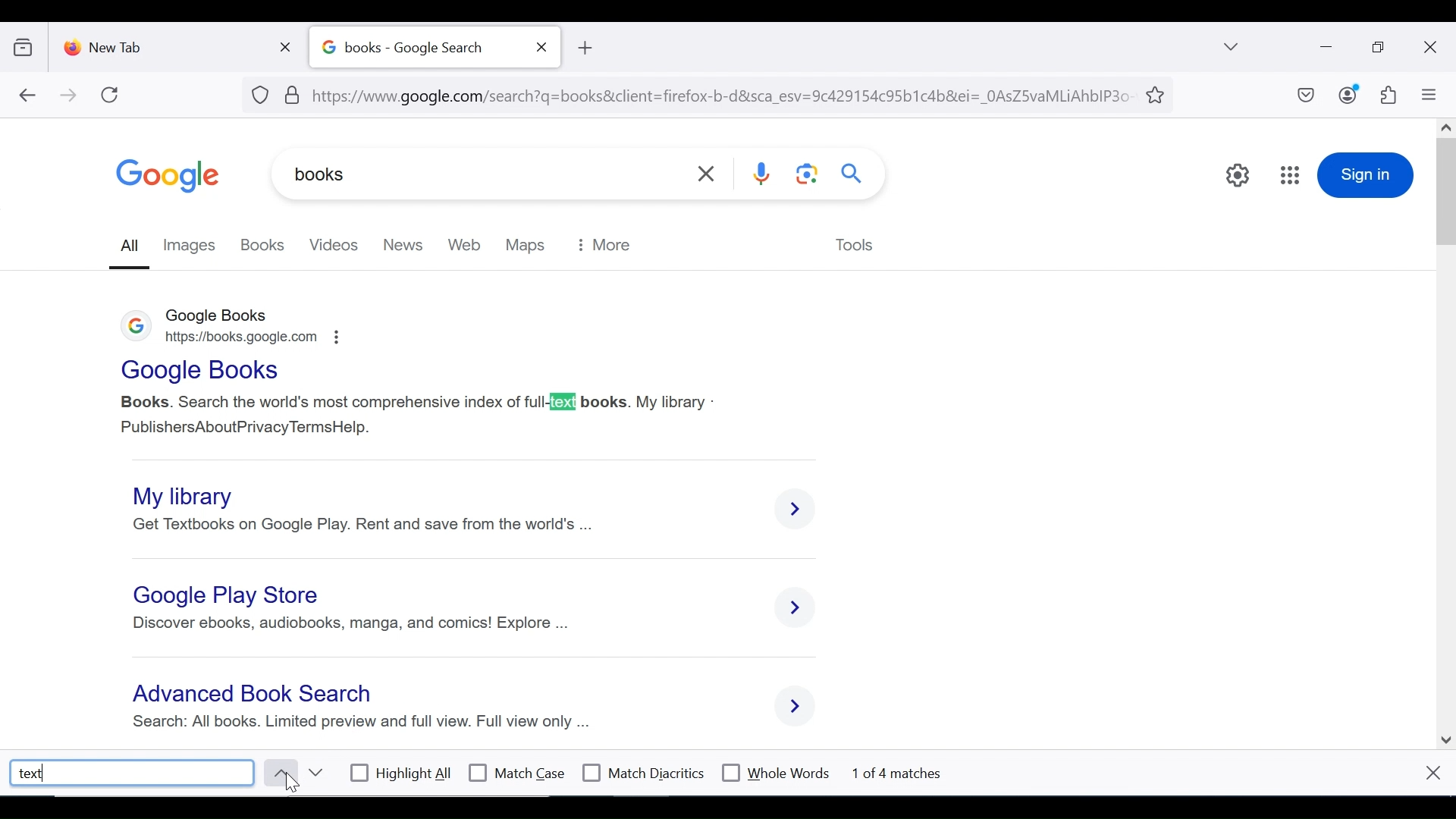 Image resolution: width=1456 pixels, height=819 pixels. What do you see at coordinates (289, 44) in the screenshot?
I see `close tab` at bounding box center [289, 44].